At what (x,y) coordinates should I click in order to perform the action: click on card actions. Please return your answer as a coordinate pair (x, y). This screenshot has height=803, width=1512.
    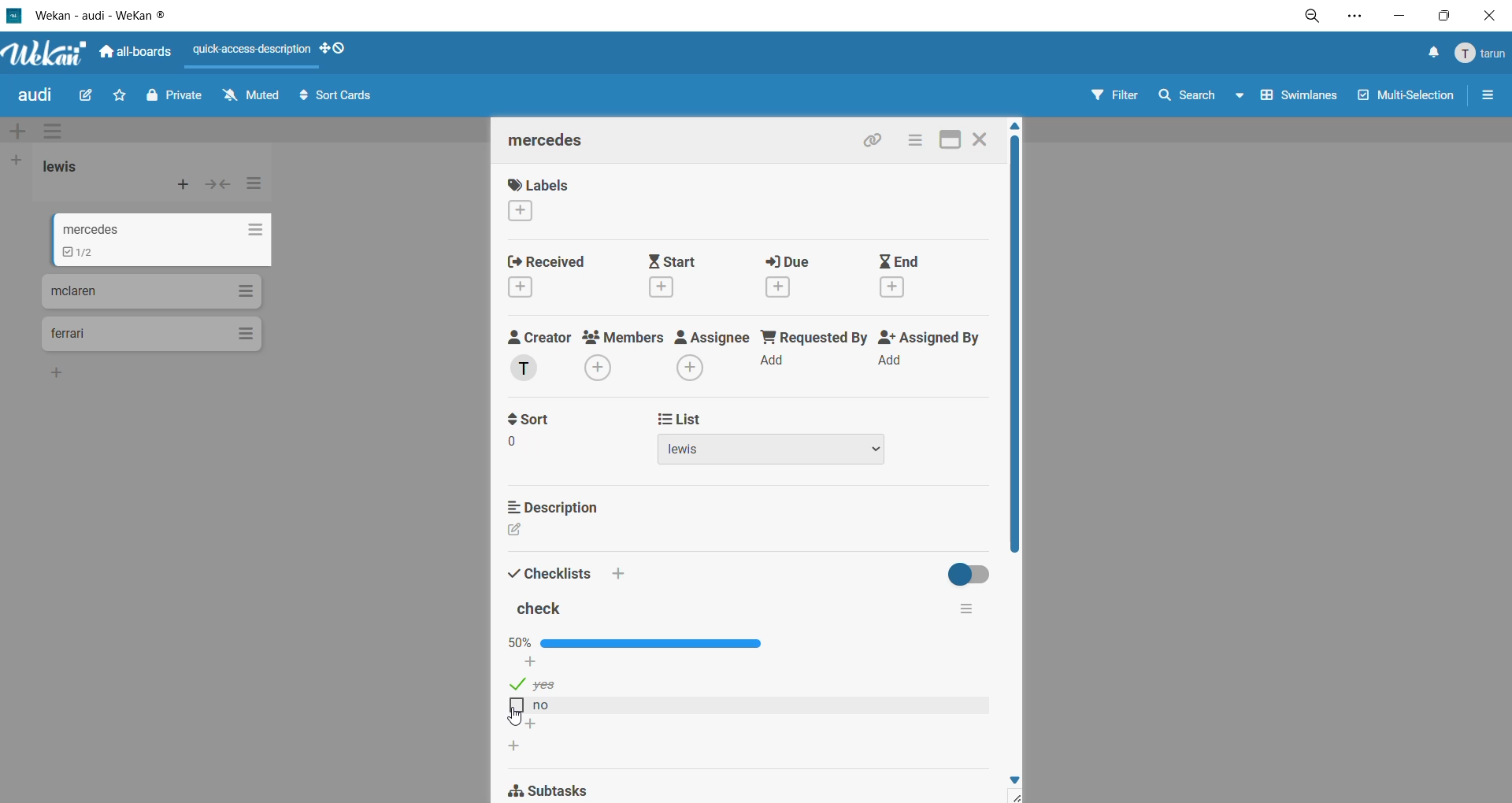
    Looking at the image, I should click on (920, 141).